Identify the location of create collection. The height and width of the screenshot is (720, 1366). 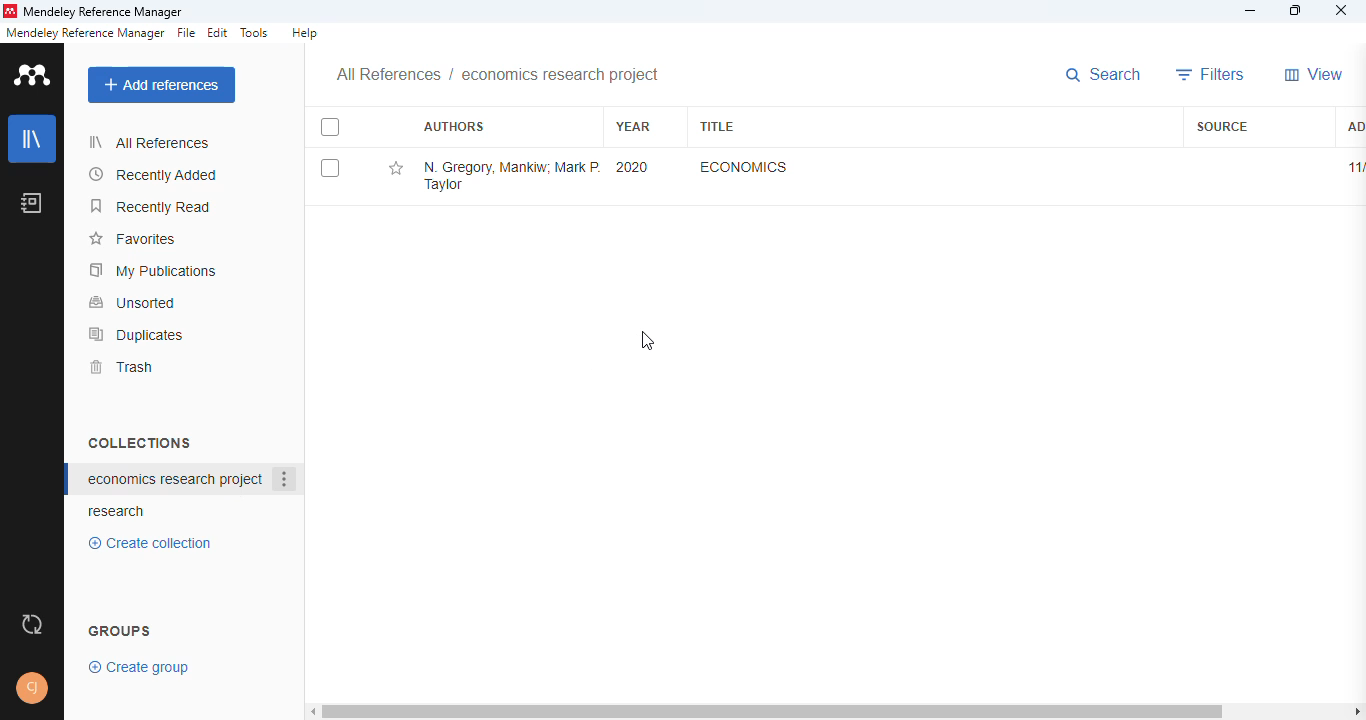
(155, 543).